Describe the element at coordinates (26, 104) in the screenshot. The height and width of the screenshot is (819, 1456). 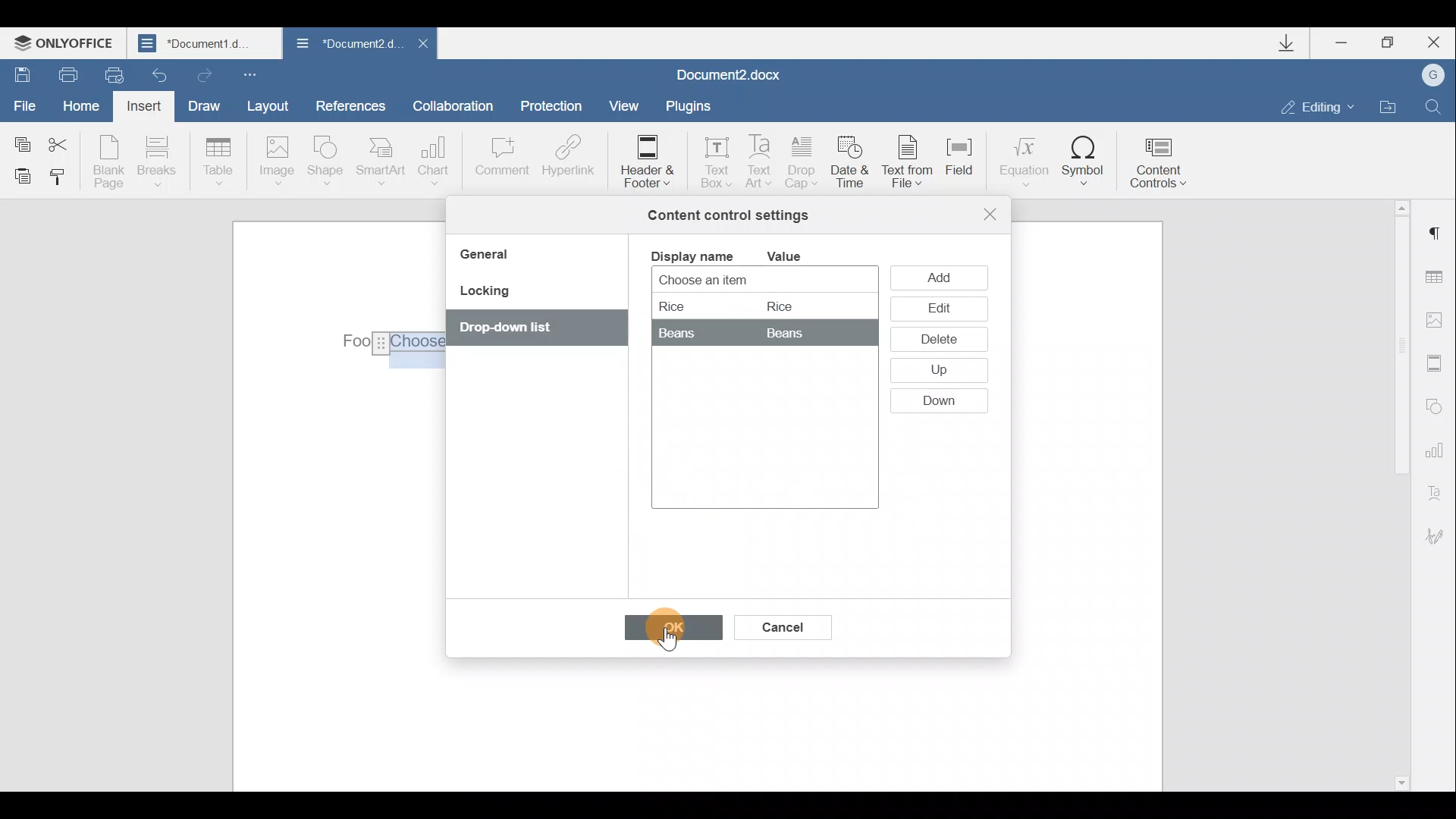
I see `File` at that location.